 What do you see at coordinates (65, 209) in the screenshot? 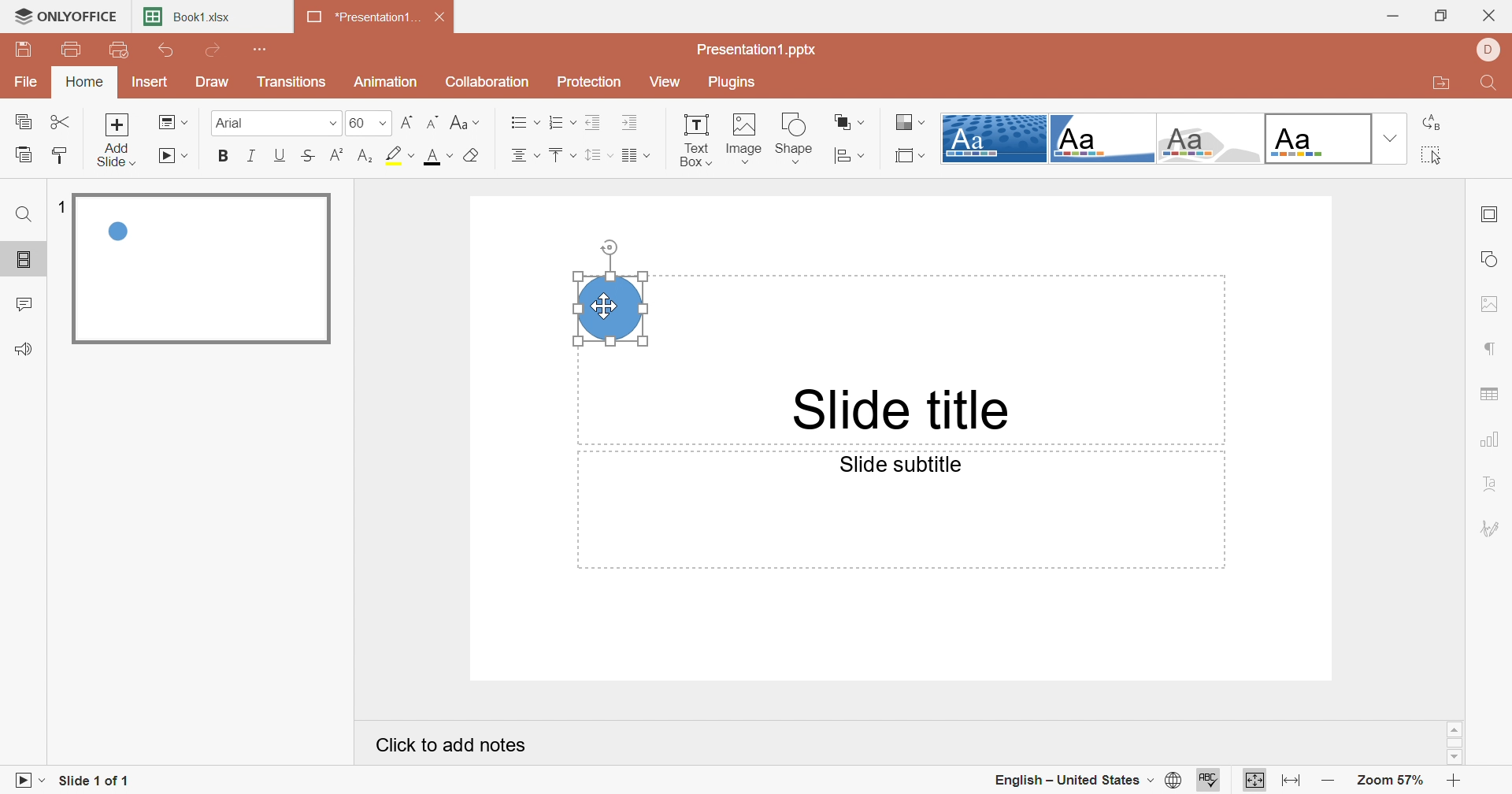
I see `1` at bounding box center [65, 209].